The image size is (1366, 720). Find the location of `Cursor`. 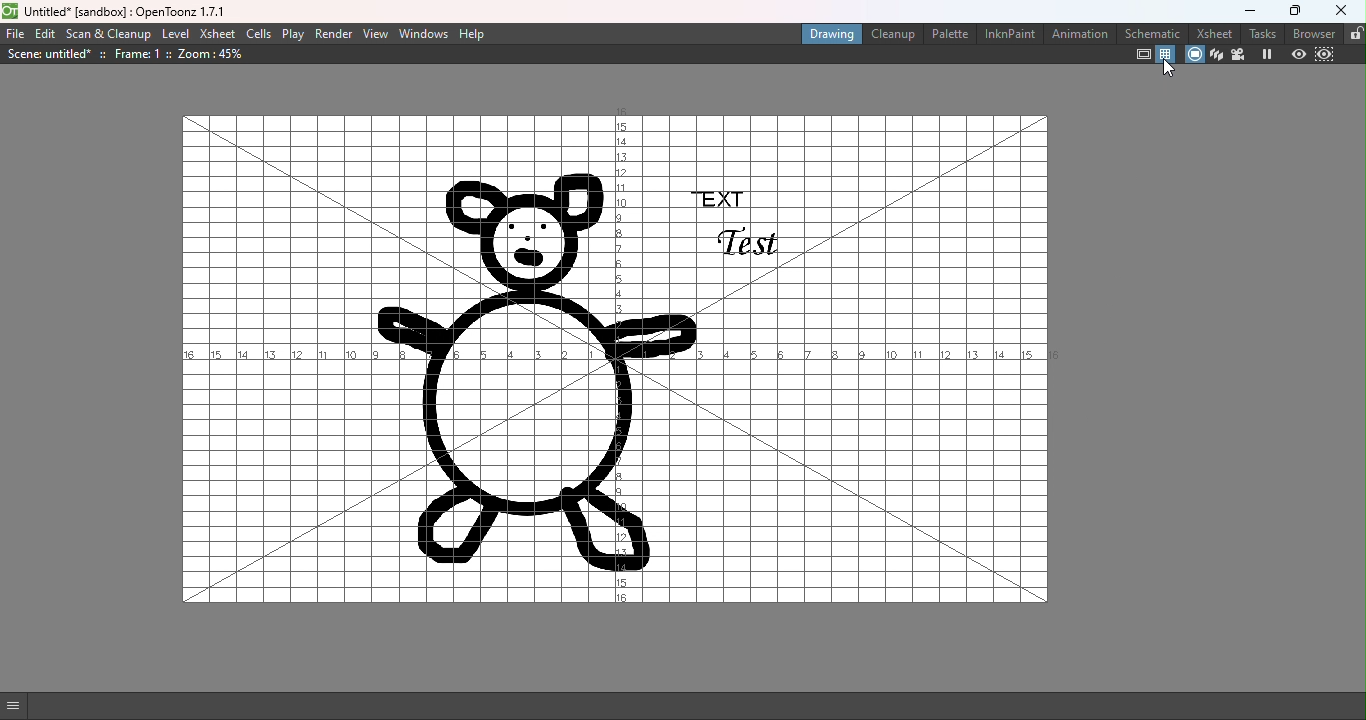

Cursor is located at coordinates (1167, 72).